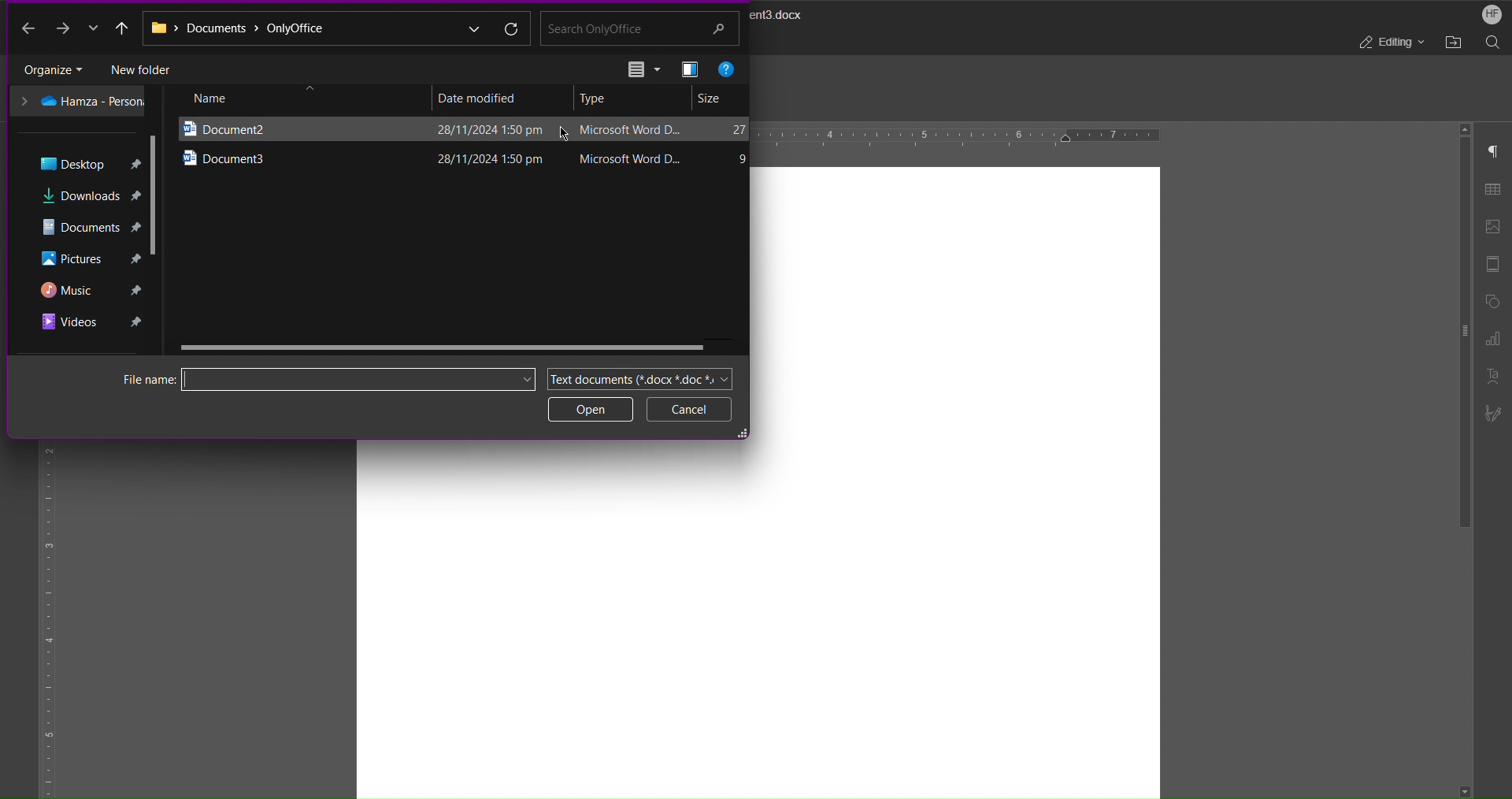 This screenshot has width=1512, height=799. I want to click on Header/Footer, so click(1495, 262).